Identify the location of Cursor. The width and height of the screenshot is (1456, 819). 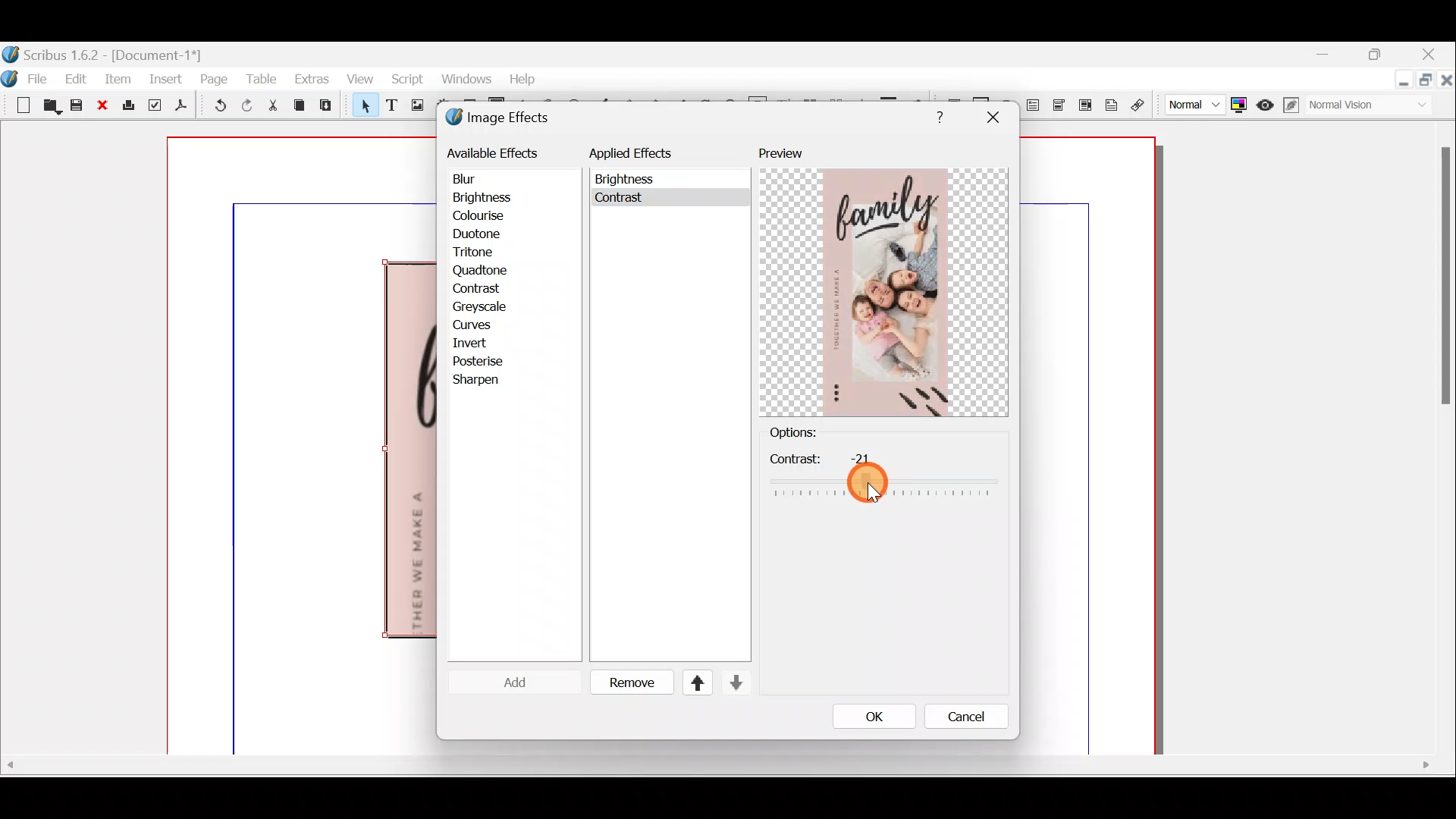
(873, 493).